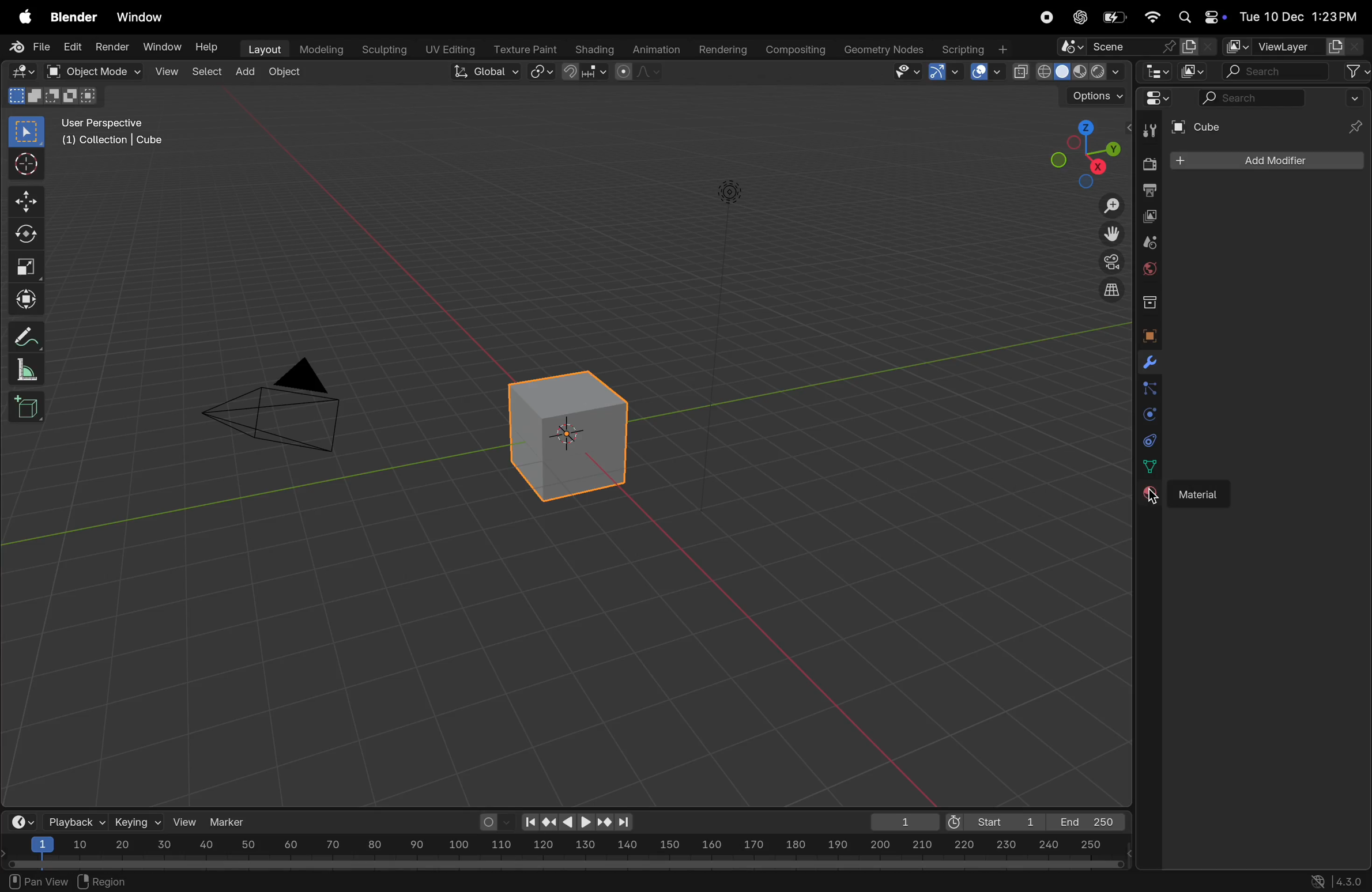 Image resolution: width=1372 pixels, height=892 pixels. What do you see at coordinates (1162, 101) in the screenshot?
I see `editor type` at bounding box center [1162, 101].